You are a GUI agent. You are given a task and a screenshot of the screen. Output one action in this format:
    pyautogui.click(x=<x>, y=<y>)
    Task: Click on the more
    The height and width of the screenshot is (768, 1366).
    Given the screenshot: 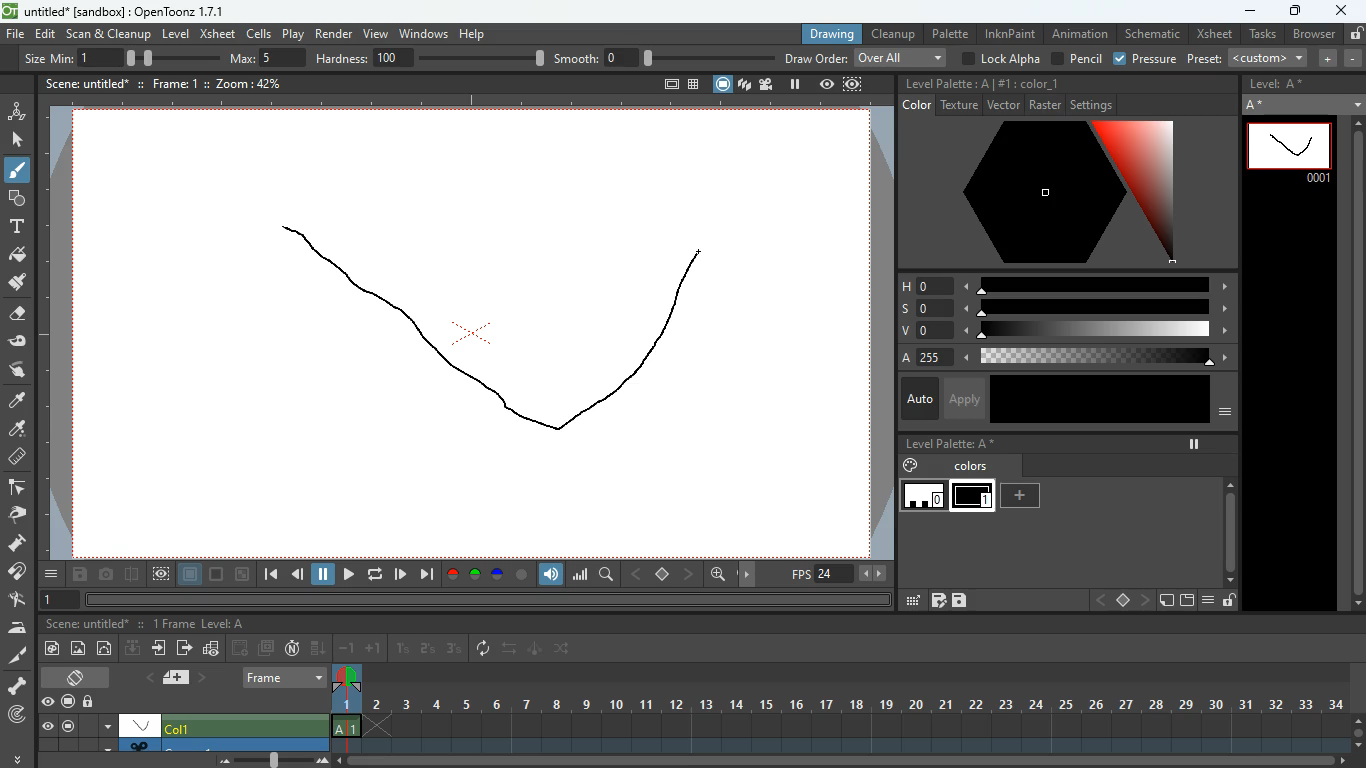 What is the action you would take?
    pyautogui.click(x=20, y=756)
    